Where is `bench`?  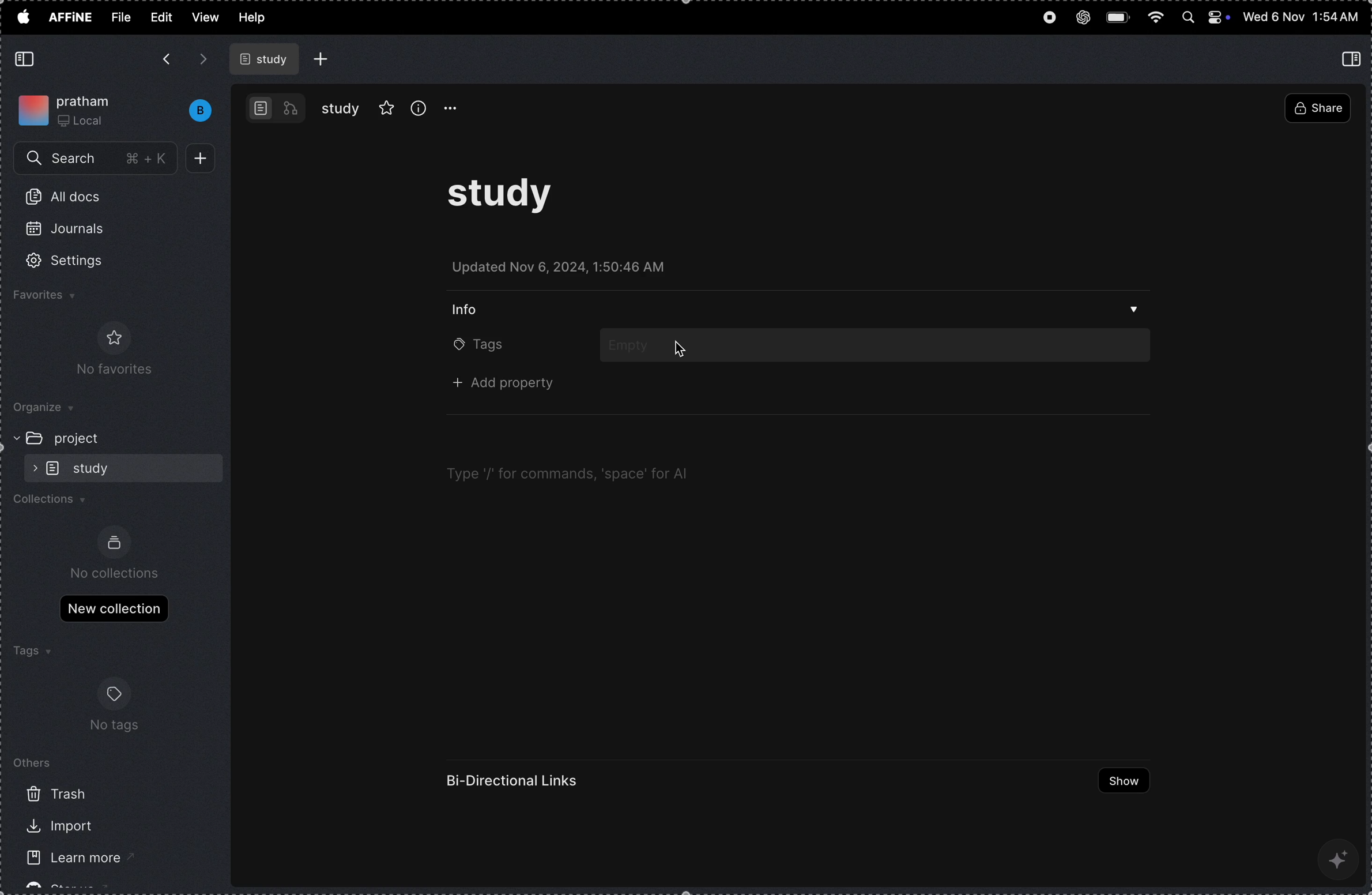 bench is located at coordinates (194, 111).